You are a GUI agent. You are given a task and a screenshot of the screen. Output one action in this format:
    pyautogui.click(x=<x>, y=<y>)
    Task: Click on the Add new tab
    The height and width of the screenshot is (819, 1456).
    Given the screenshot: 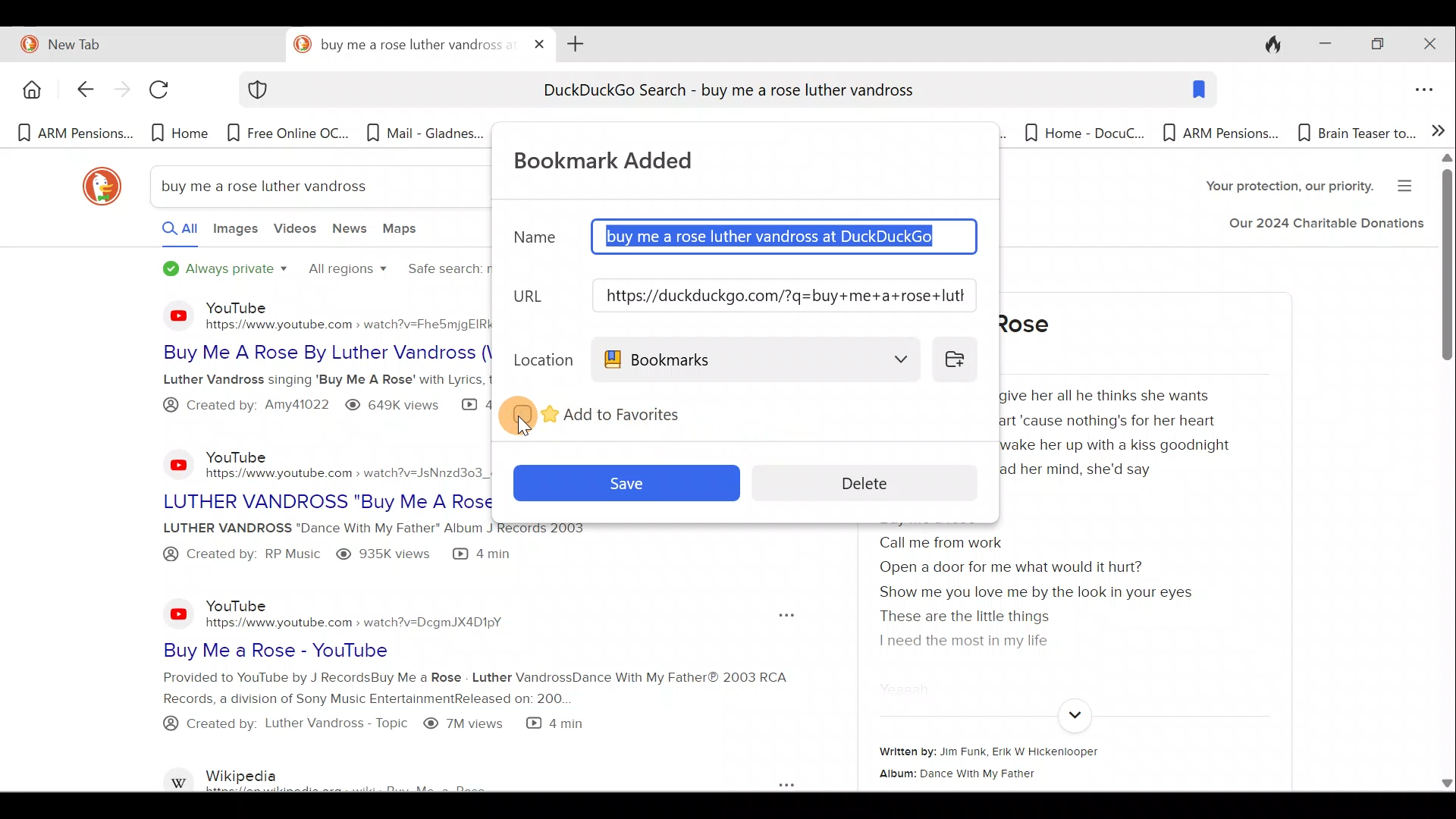 What is the action you would take?
    pyautogui.click(x=573, y=42)
    